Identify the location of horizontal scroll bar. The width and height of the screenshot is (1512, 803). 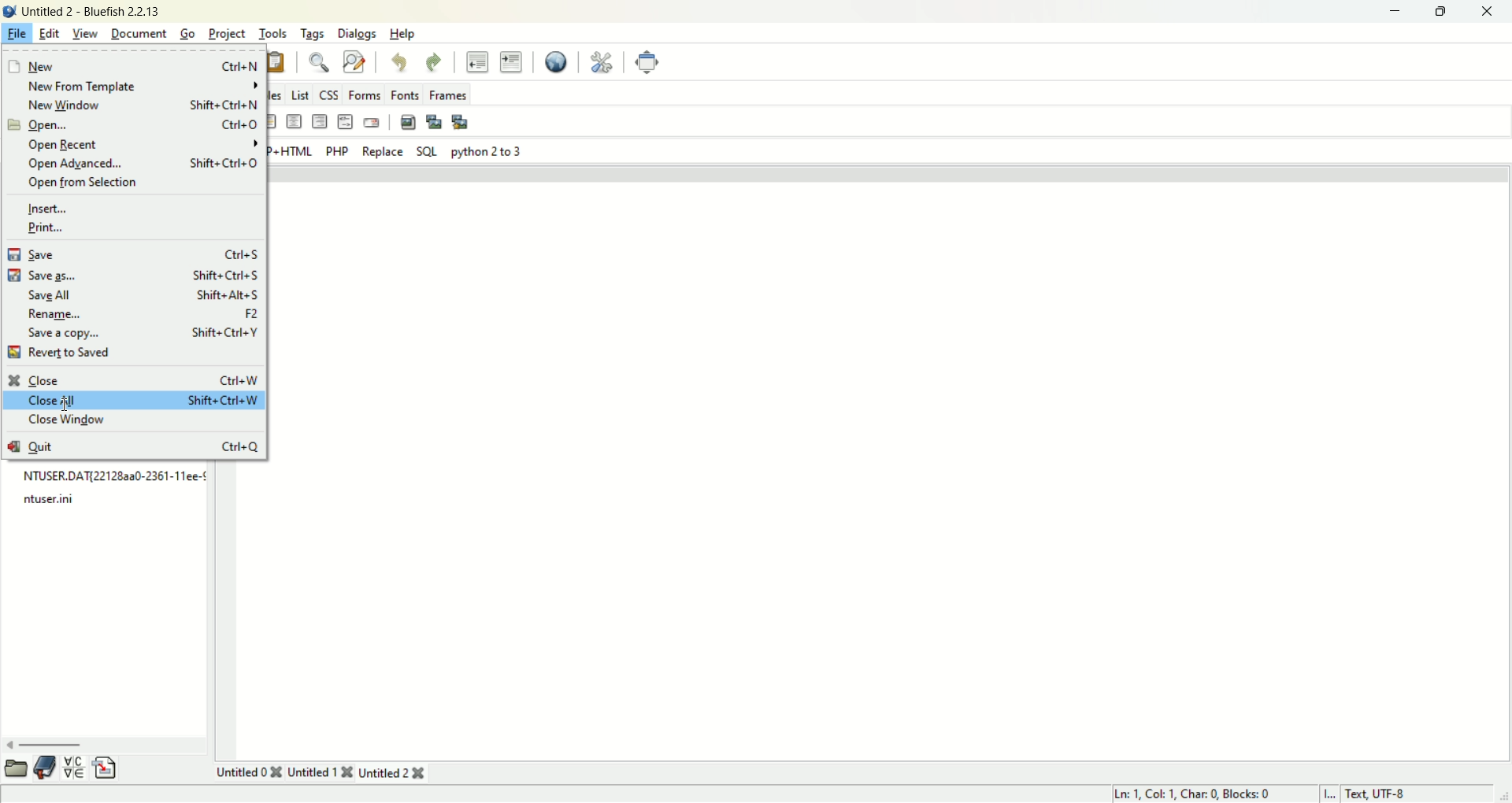
(105, 744).